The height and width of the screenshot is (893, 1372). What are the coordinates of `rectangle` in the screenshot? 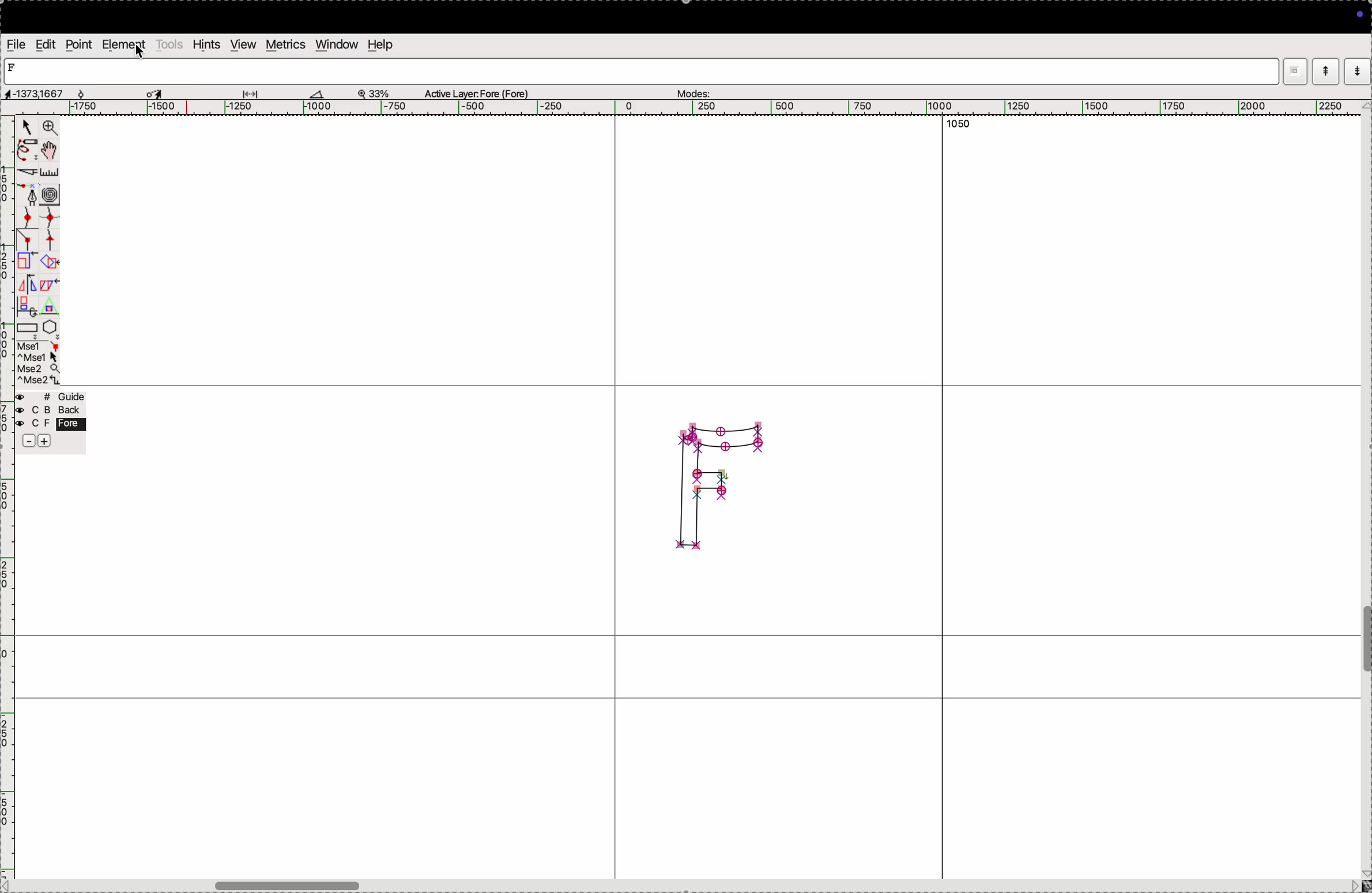 It's located at (27, 330).